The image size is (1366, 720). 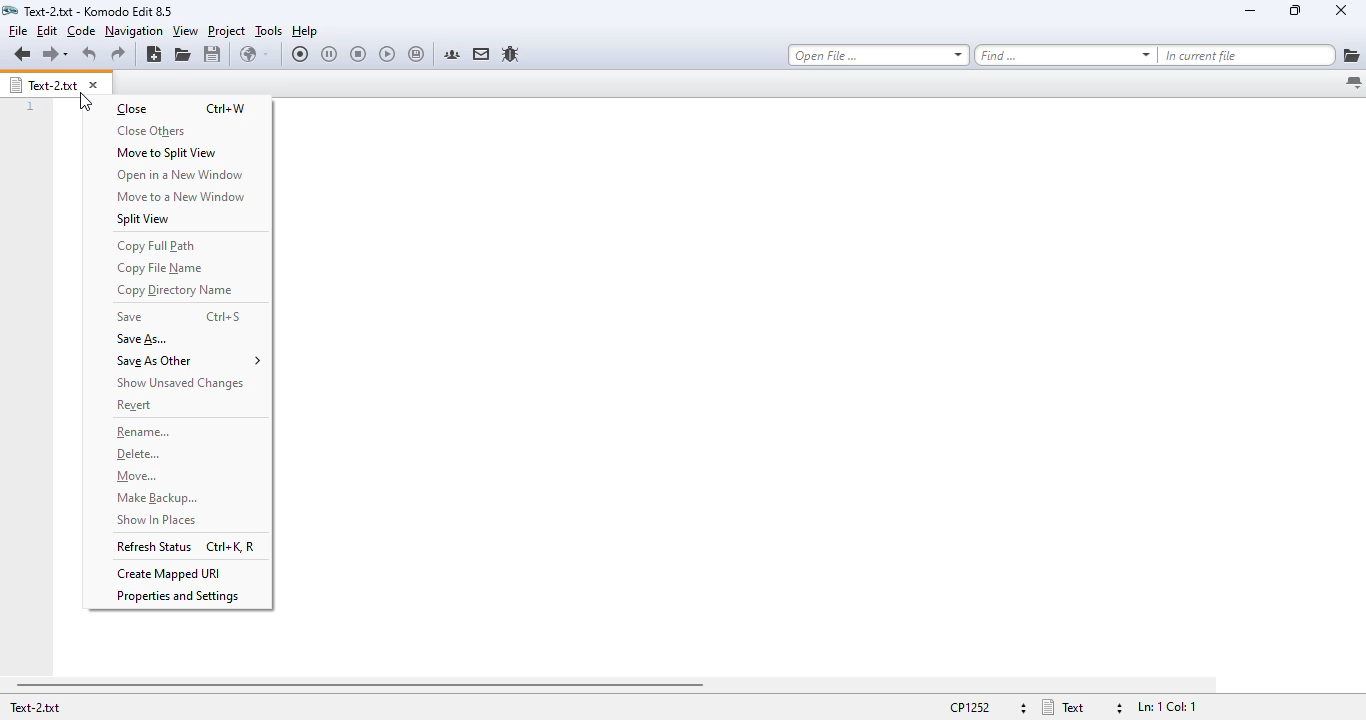 What do you see at coordinates (416, 54) in the screenshot?
I see `save last macro to toolbox` at bounding box center [416, 54].